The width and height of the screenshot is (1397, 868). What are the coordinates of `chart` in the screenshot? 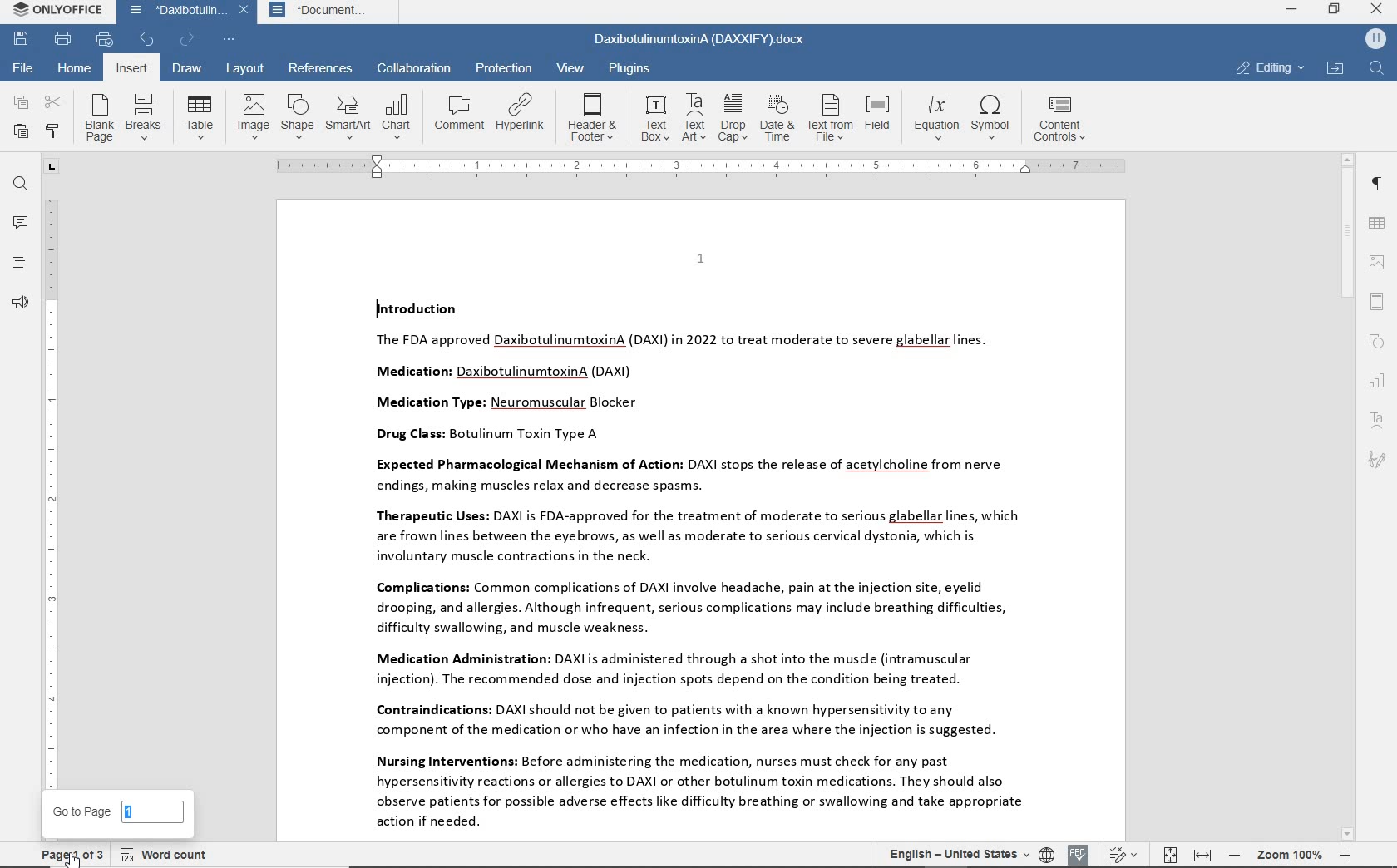 It's located at (1378, 382).